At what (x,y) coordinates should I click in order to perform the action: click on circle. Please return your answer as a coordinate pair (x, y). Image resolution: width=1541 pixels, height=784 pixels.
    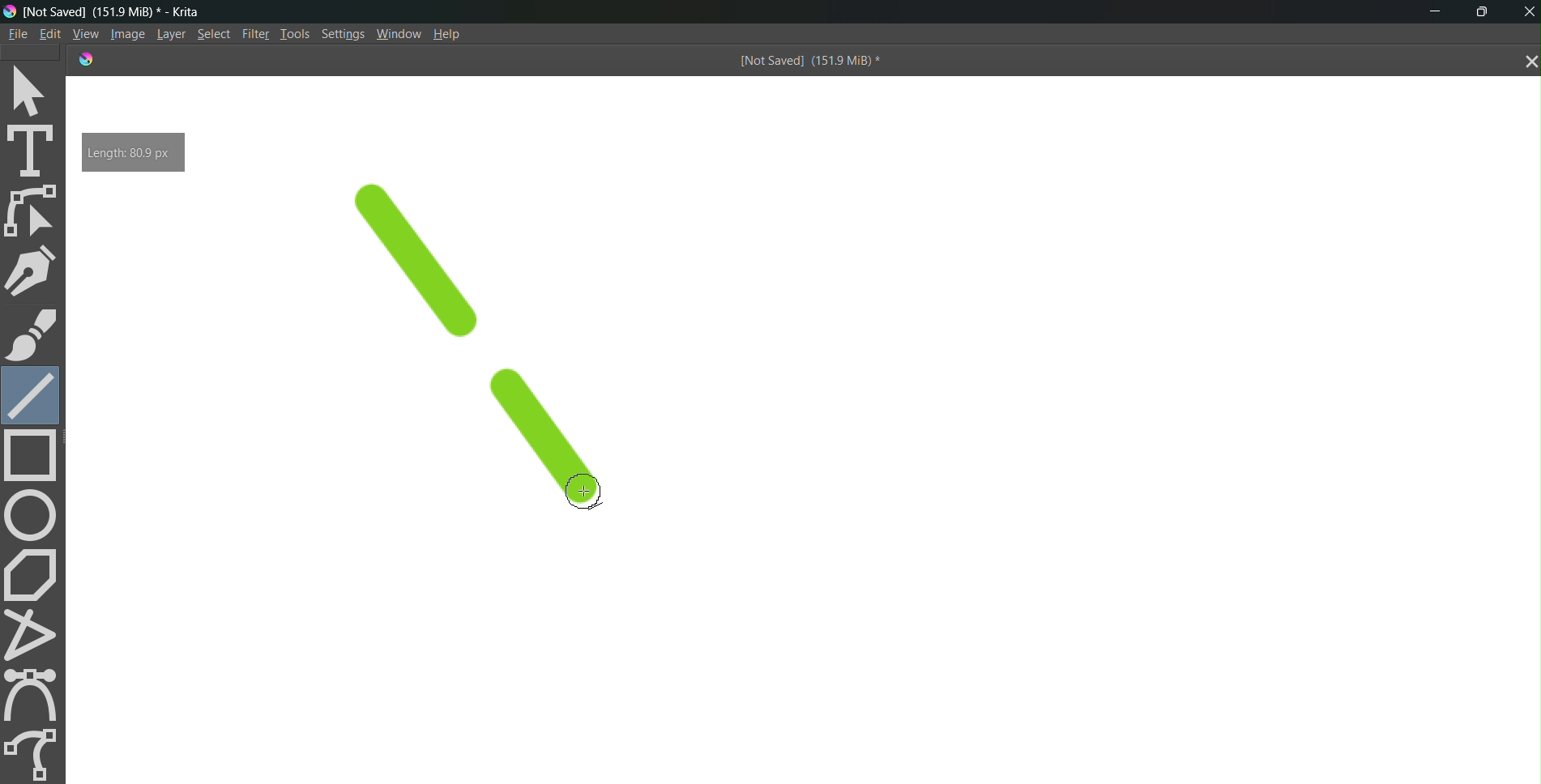
    Looking at the image, I should click on (32, 514).